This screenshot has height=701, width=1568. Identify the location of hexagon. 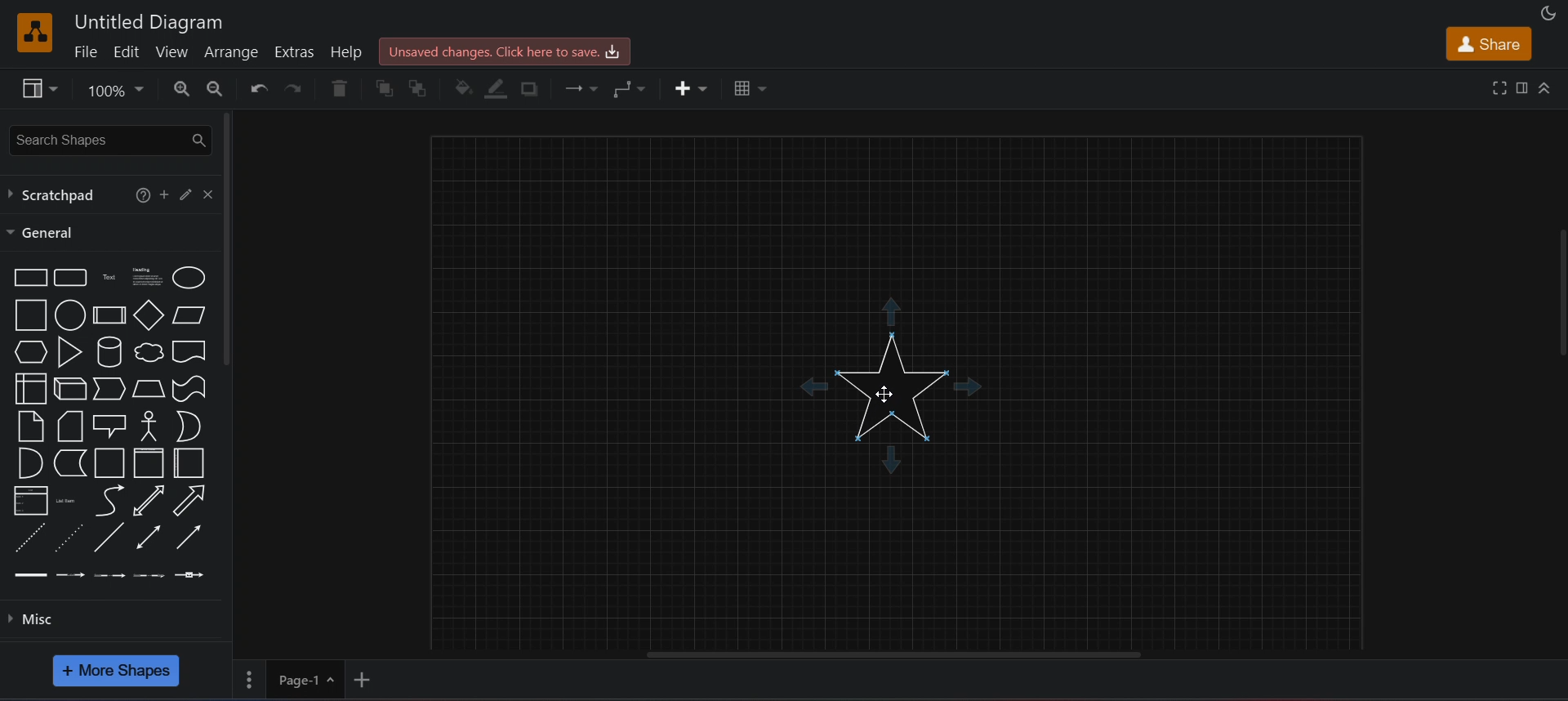
(27, 351).